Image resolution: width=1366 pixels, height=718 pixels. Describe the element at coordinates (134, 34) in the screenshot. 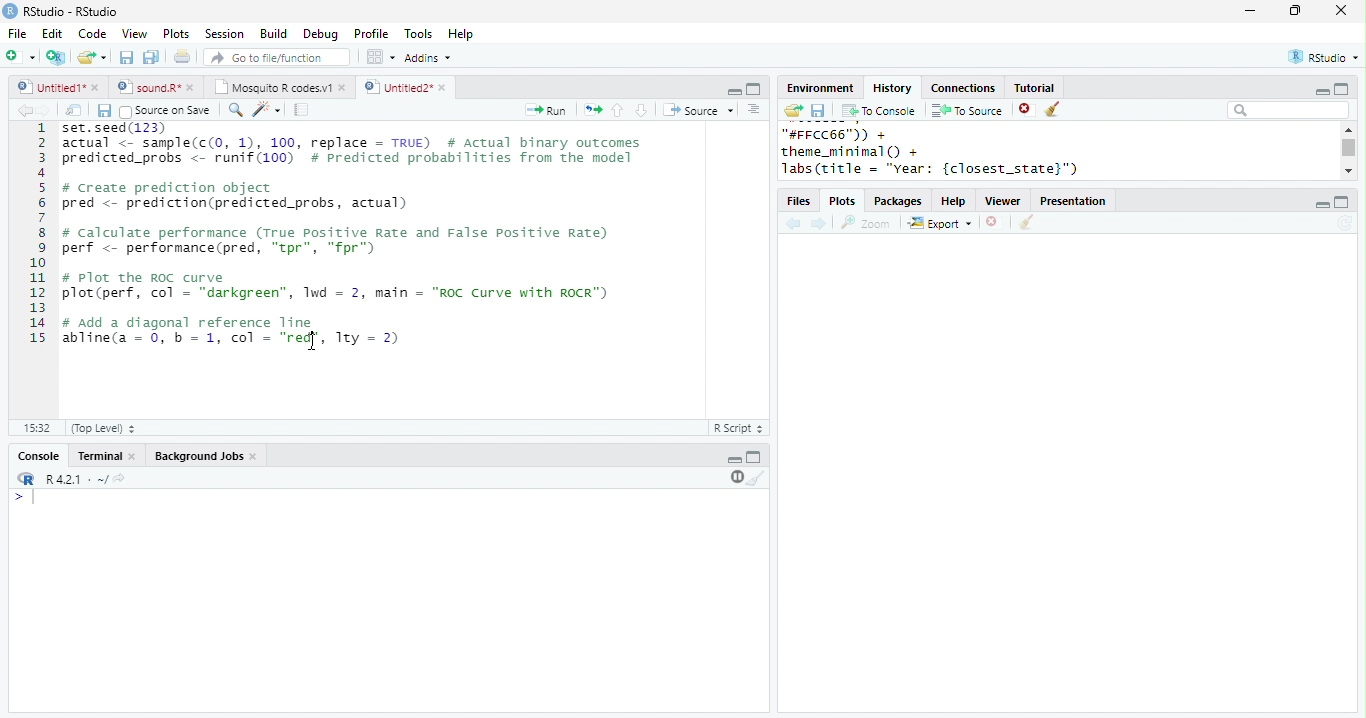

I see `View` at that location.